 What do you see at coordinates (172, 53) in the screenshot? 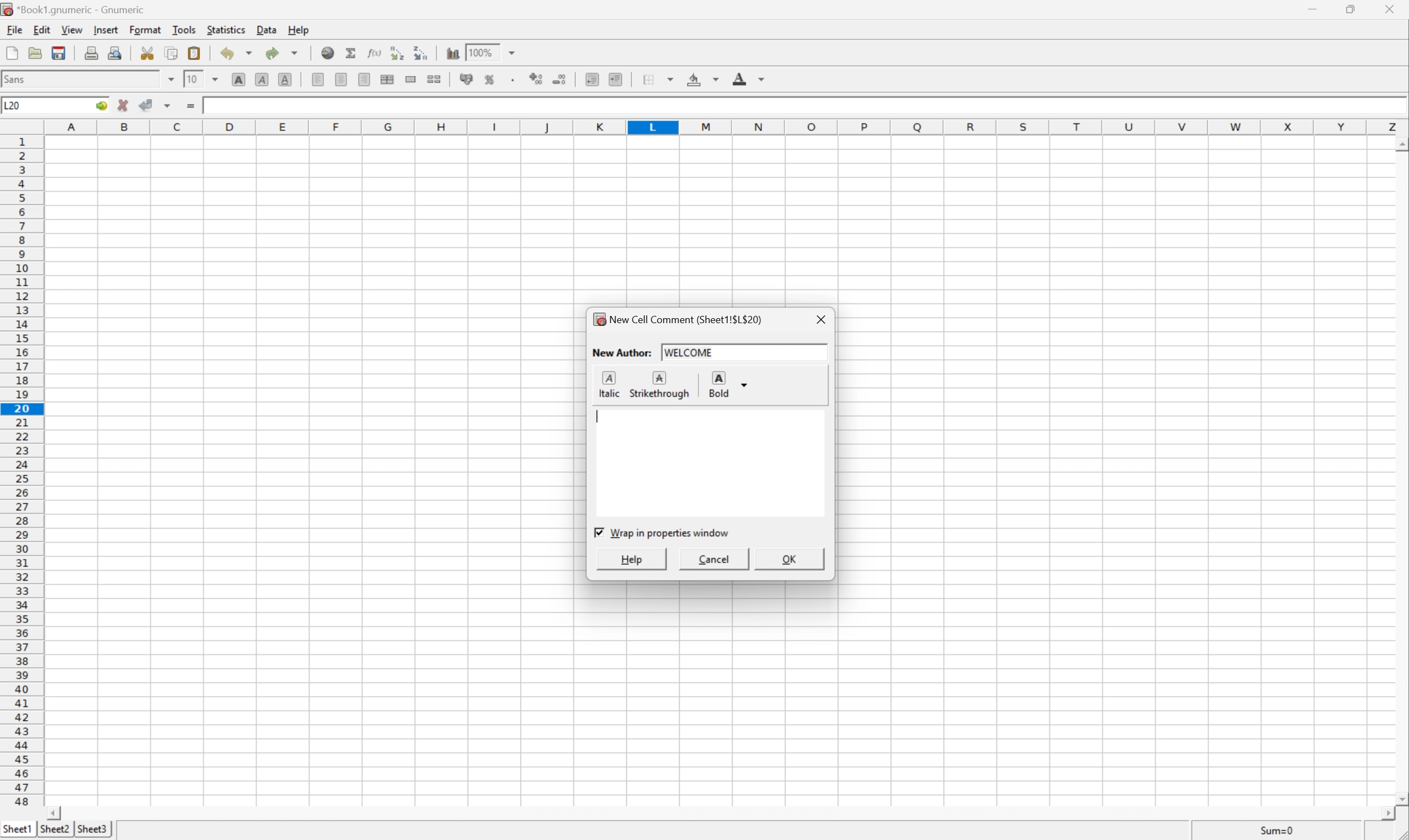
I see `Copy selection` at bounding box center [172, 53].